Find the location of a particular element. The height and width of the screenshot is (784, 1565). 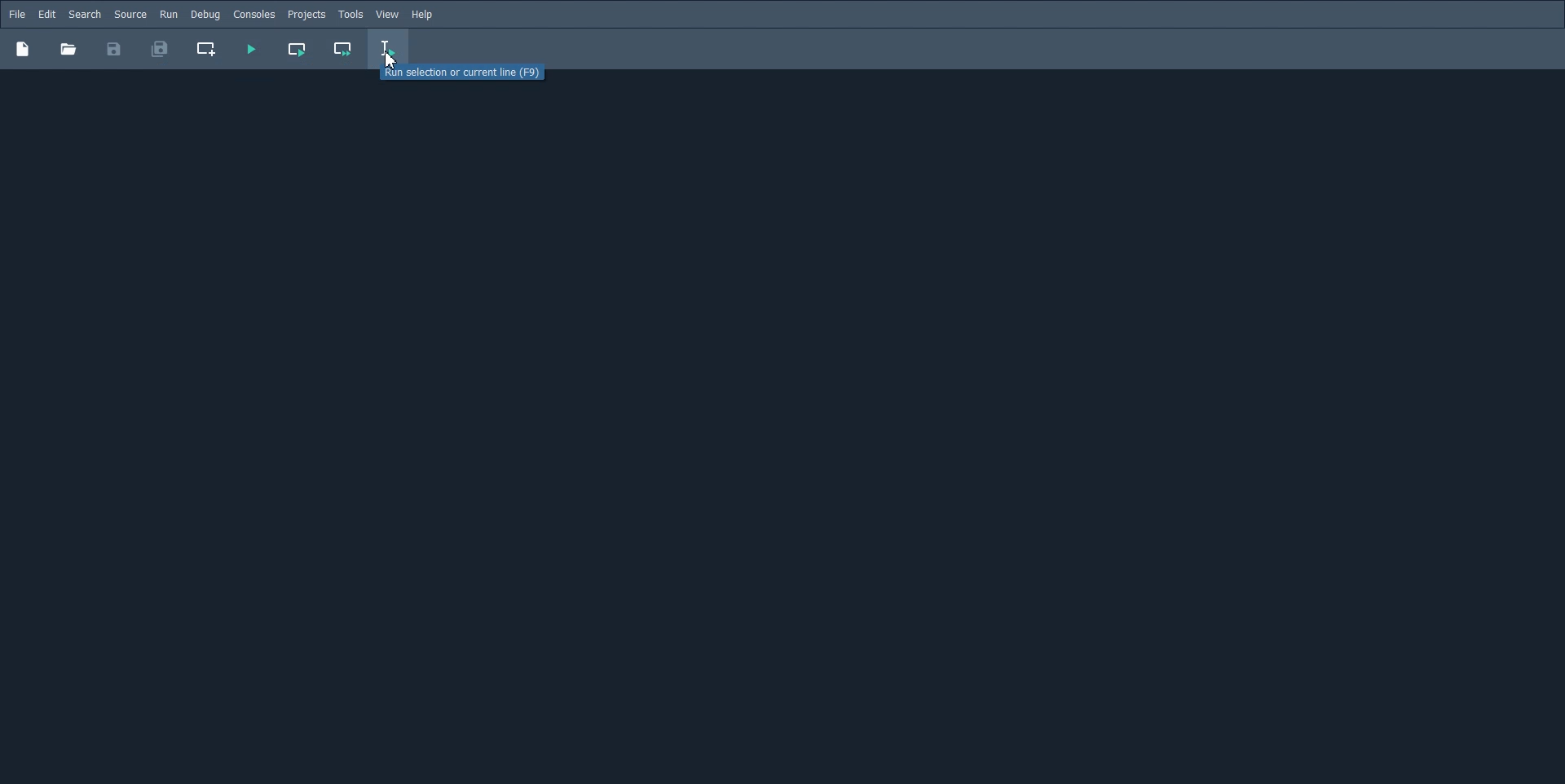

Save File is located at coordinates (114, 49).